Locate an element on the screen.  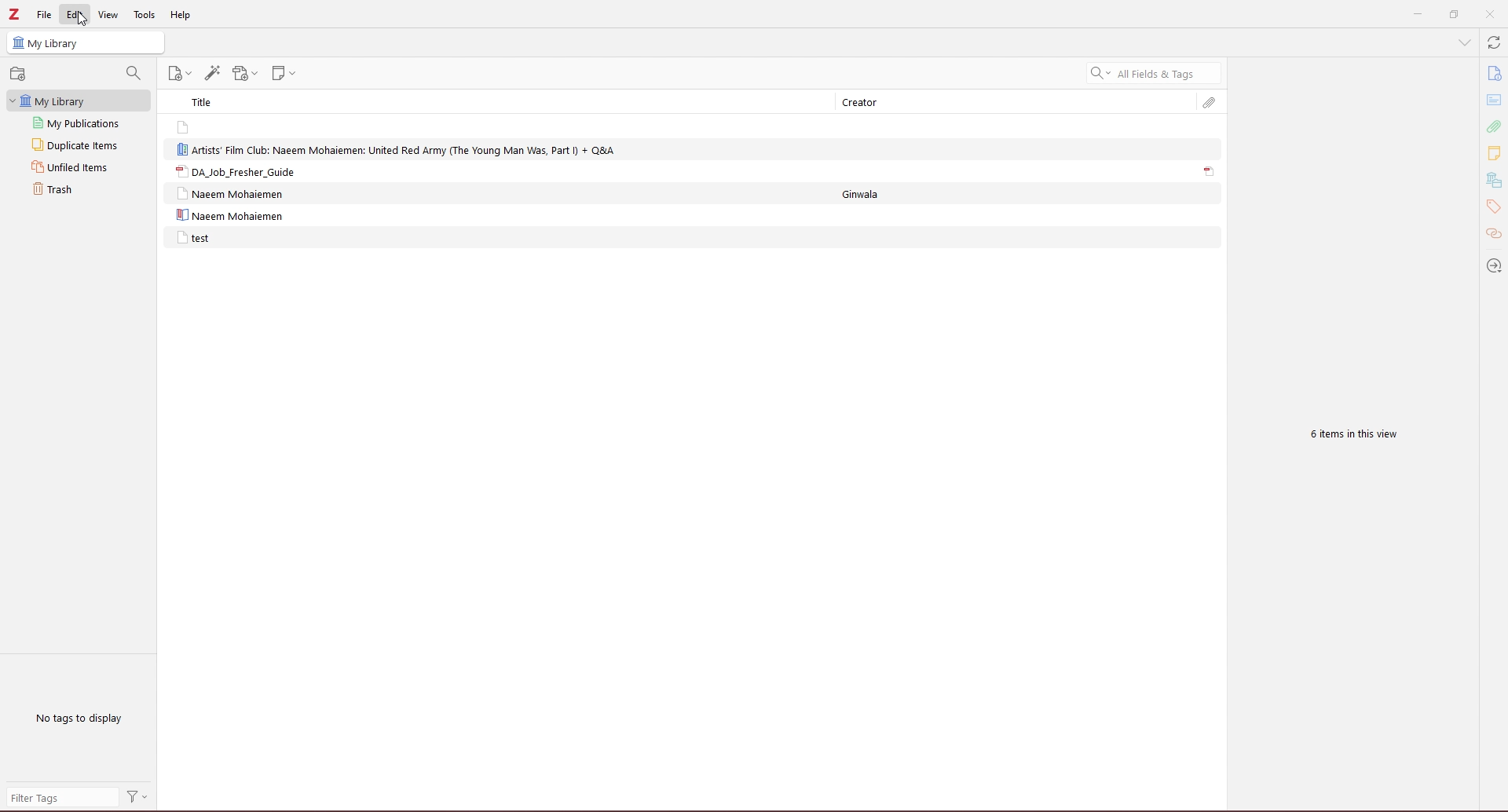
filter is located at coordinates (138, 798).